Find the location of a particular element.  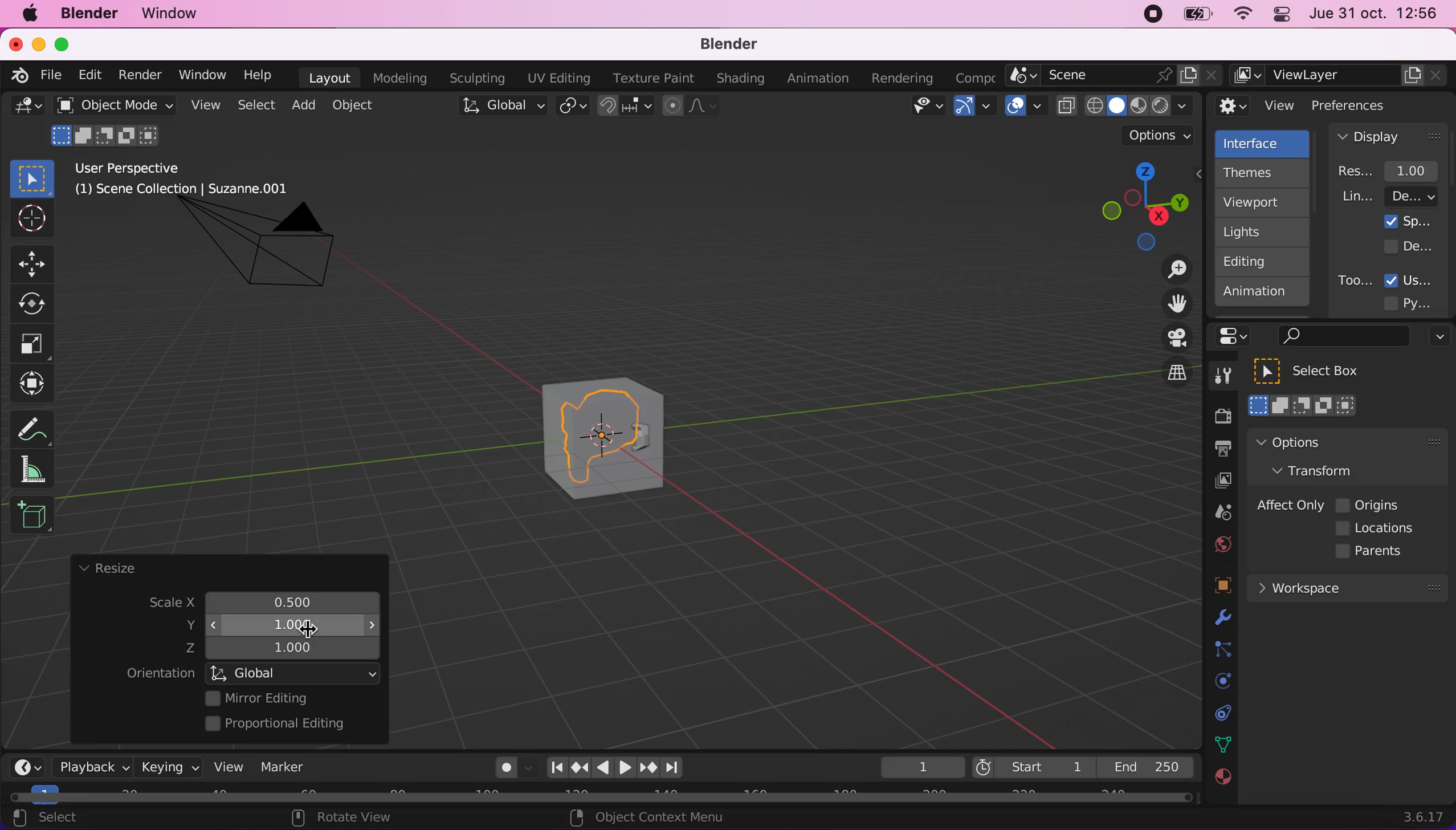

tooltips is located at coordinates (1354, 280).